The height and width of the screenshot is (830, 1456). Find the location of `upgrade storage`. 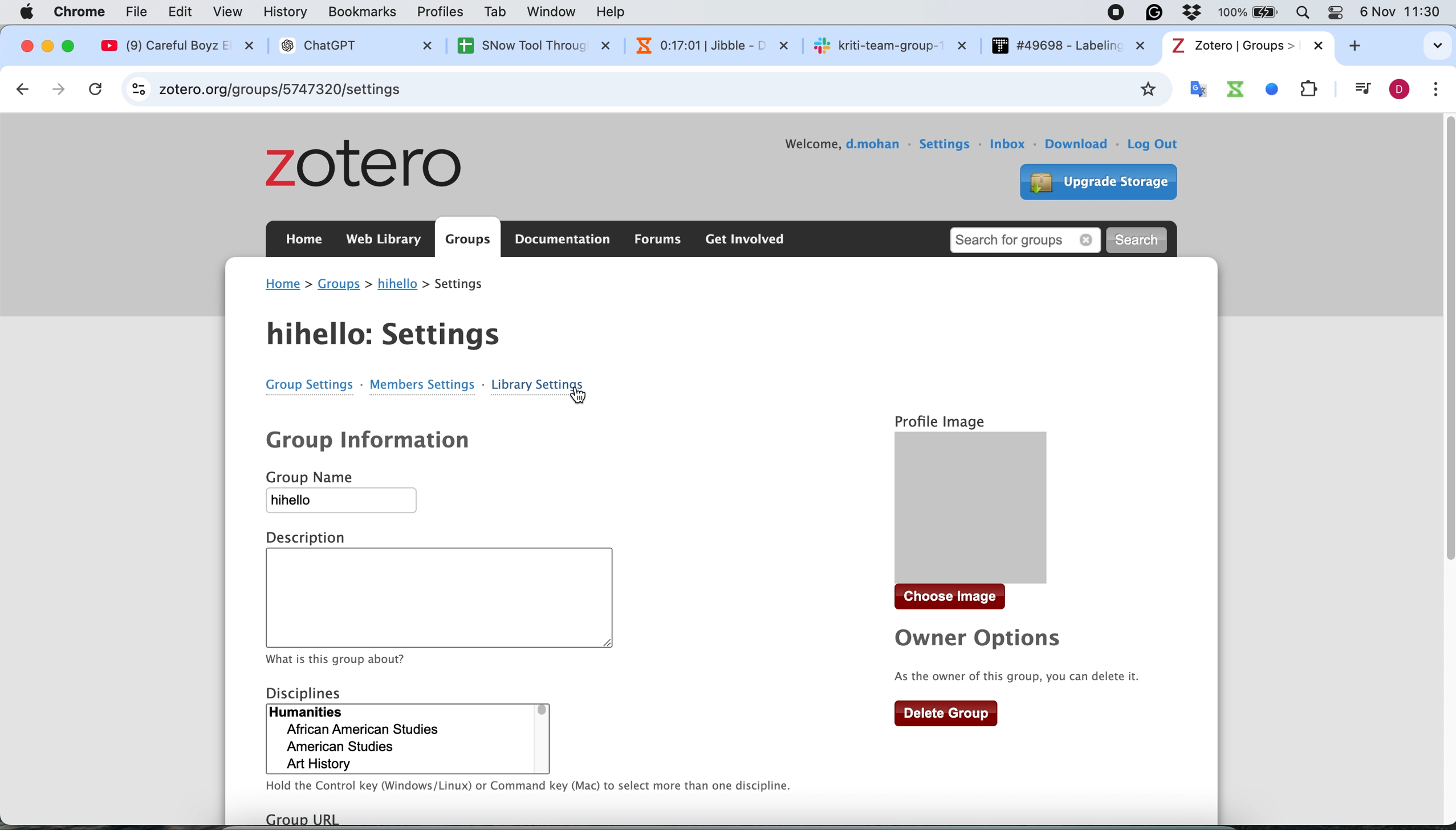

upgrade storage is located at coordinates (1092, 180).